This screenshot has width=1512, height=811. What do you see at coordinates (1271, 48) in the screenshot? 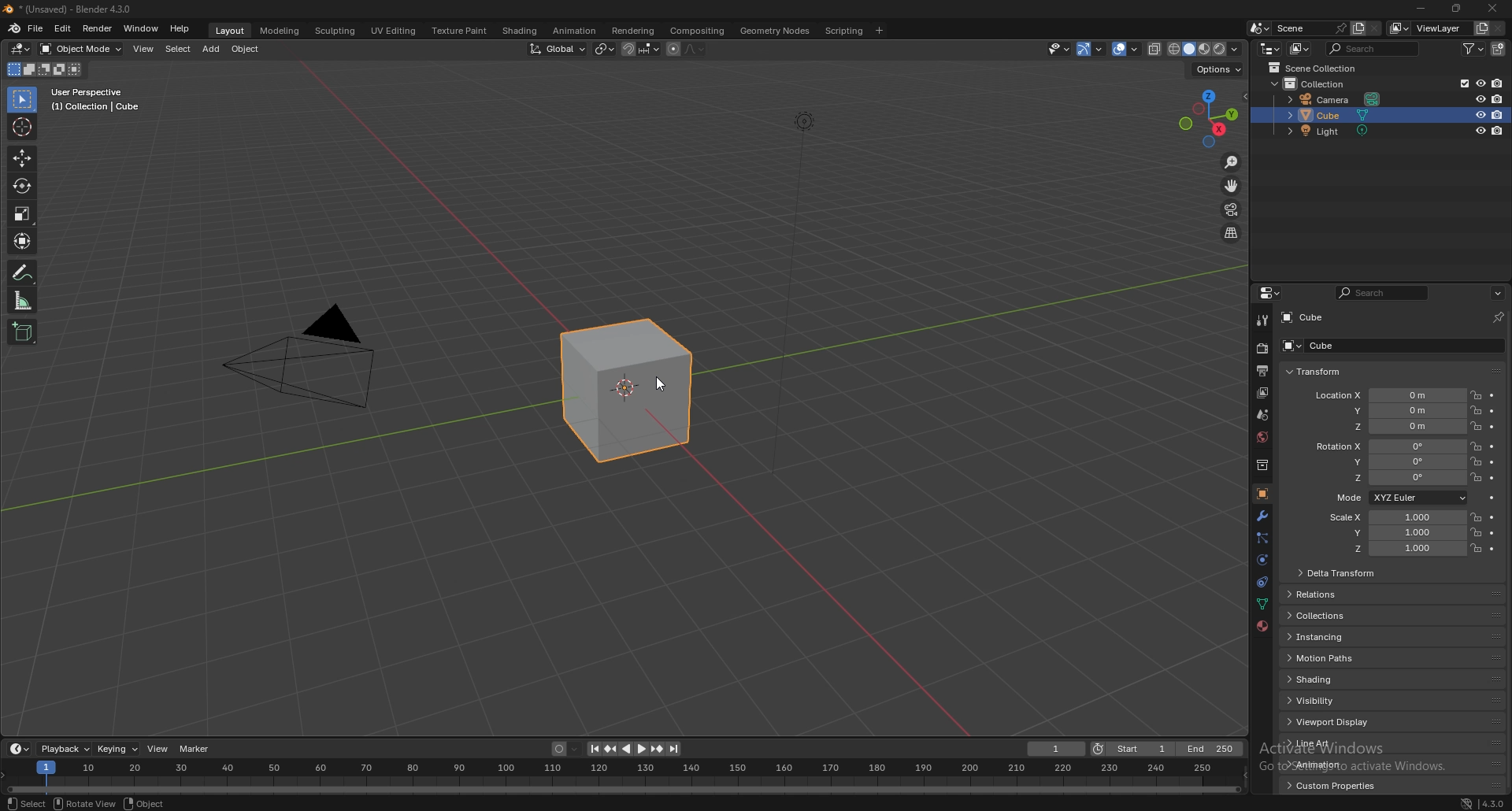
I see `editor type` at bounding box center [1271, 48].